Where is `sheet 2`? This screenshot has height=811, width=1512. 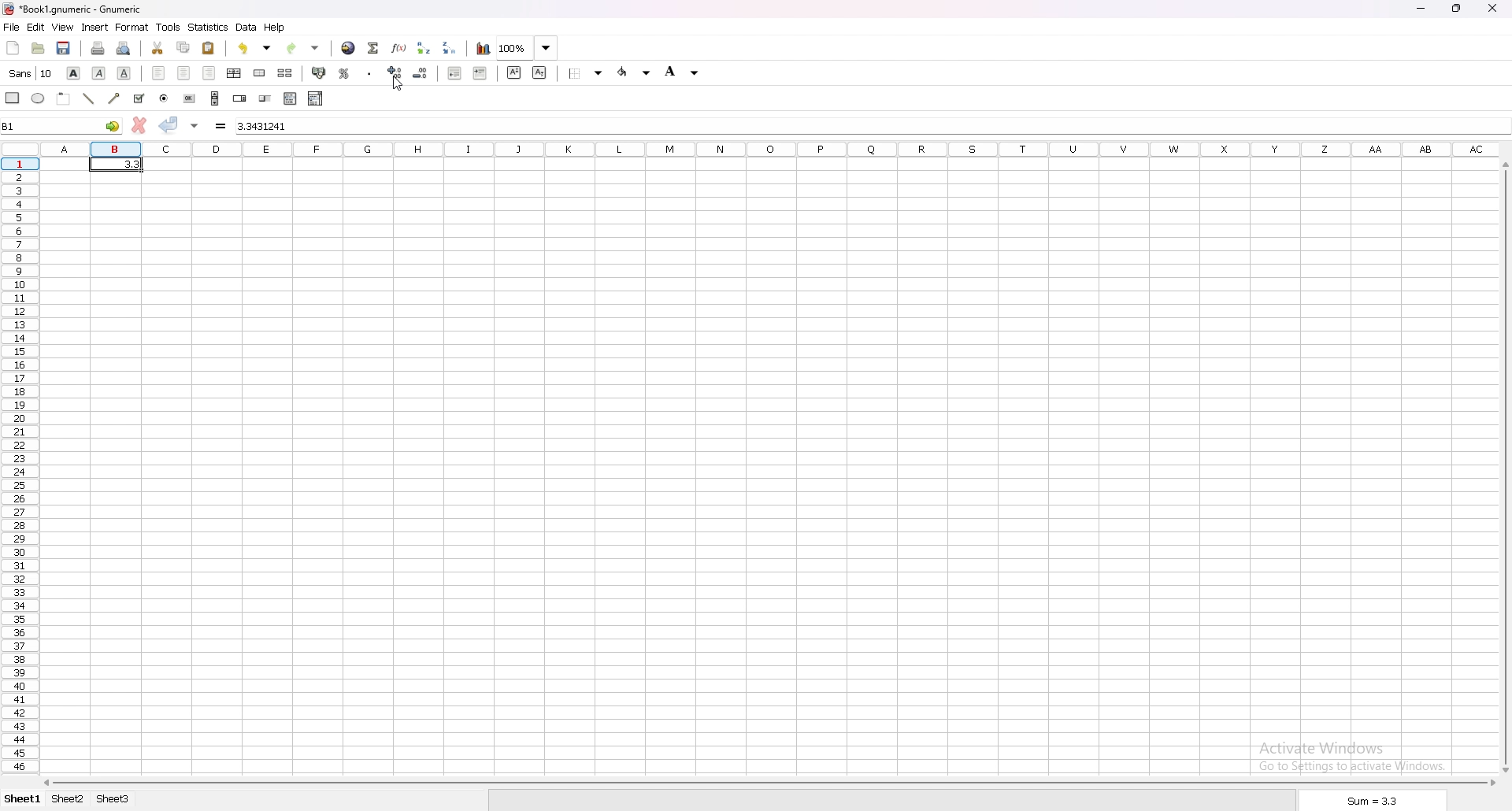
sheet 2 is located at coordinates (70, 798).